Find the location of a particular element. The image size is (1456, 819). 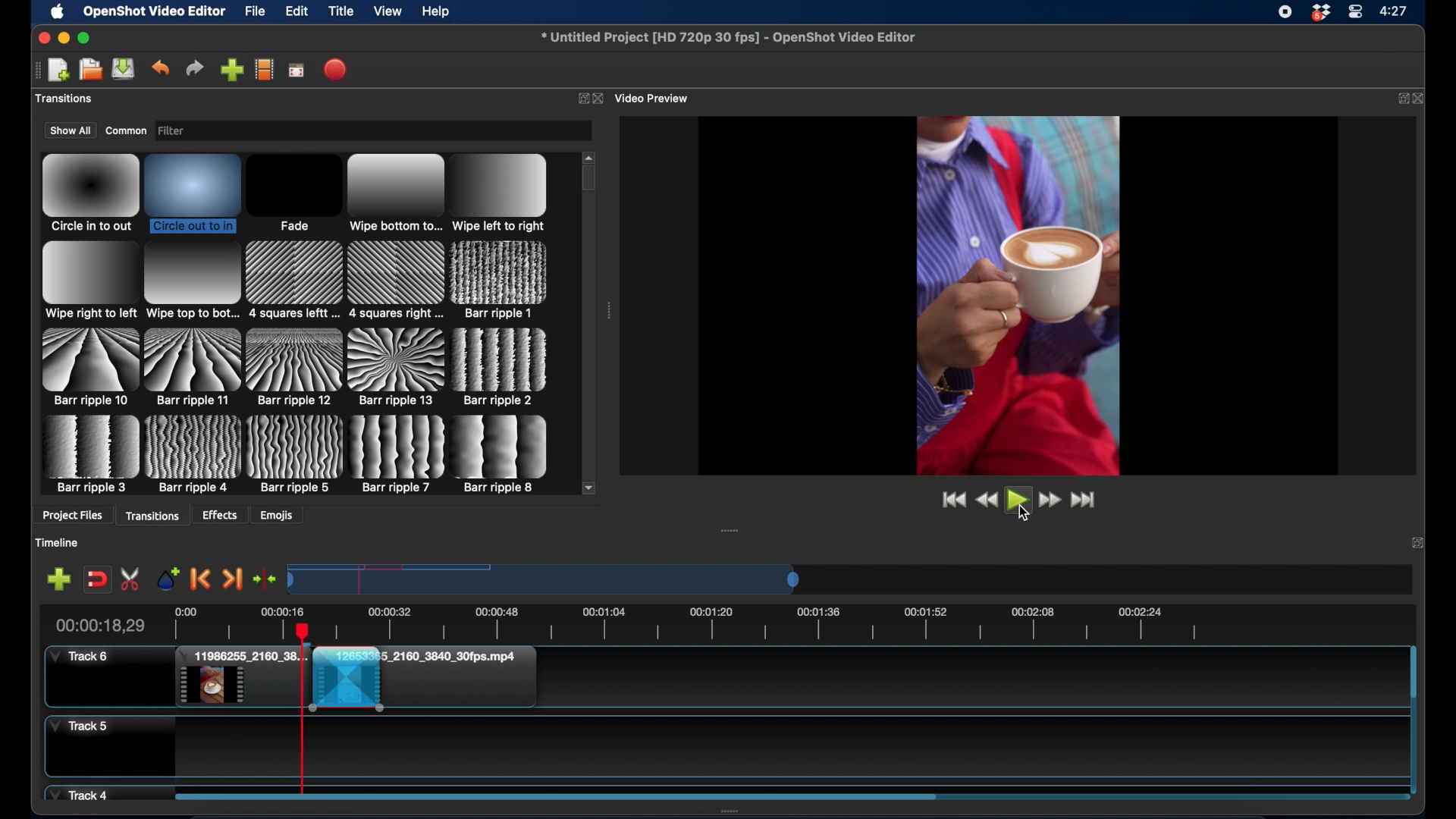

current time indicator is located at coordinates (99, 625).